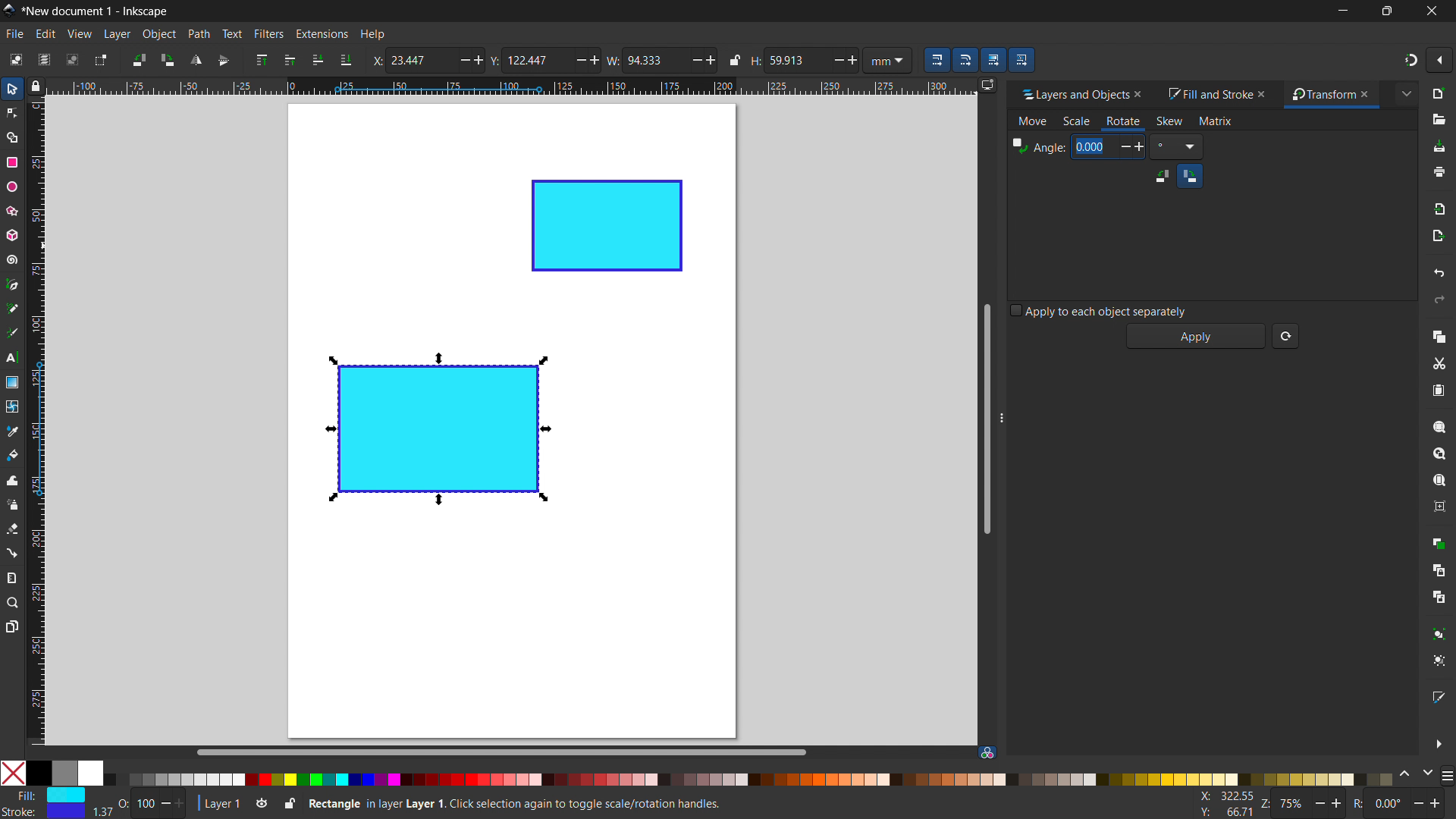 Image resolution: width=1456 pixels, height=819 pixels. I want to click on 0.00, so click(1107, 146).